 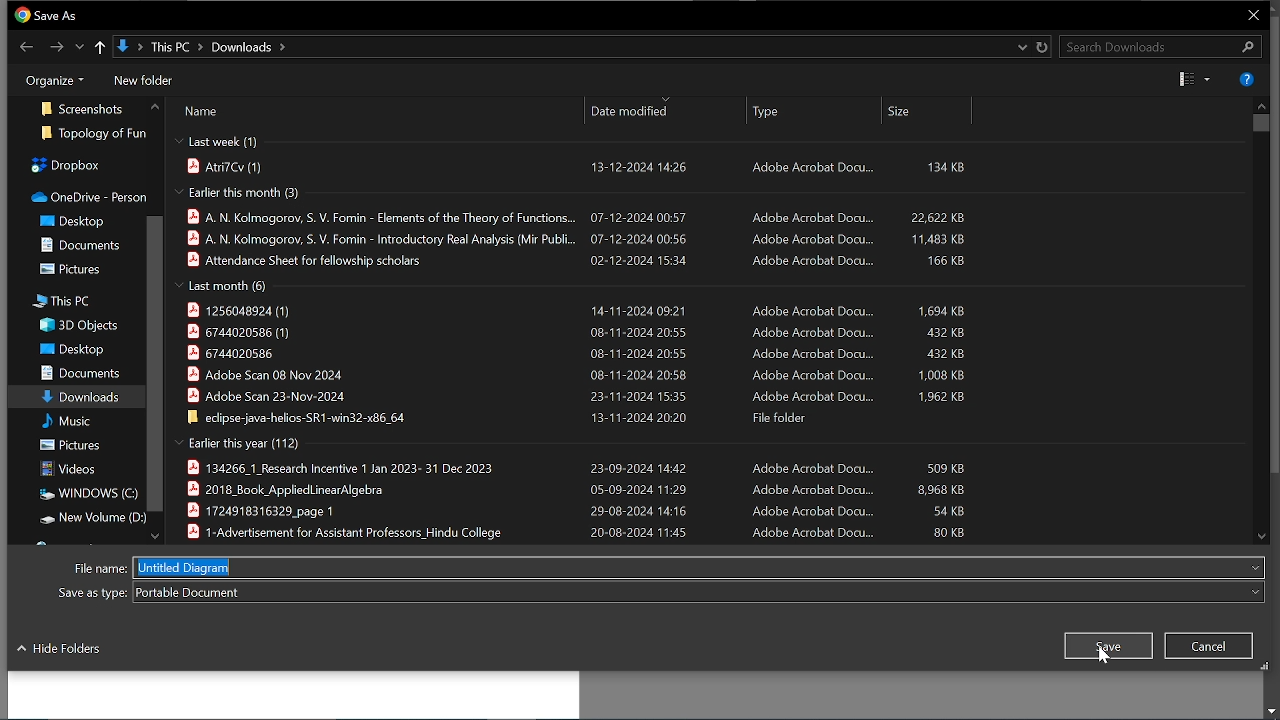 What do you see at coordinates (380, 219) in the screenshot?
I see `A. N. Kolmogorov, S. V. Fomin - Elements of the Theory of Functions...` at bounding box center [380, 219].